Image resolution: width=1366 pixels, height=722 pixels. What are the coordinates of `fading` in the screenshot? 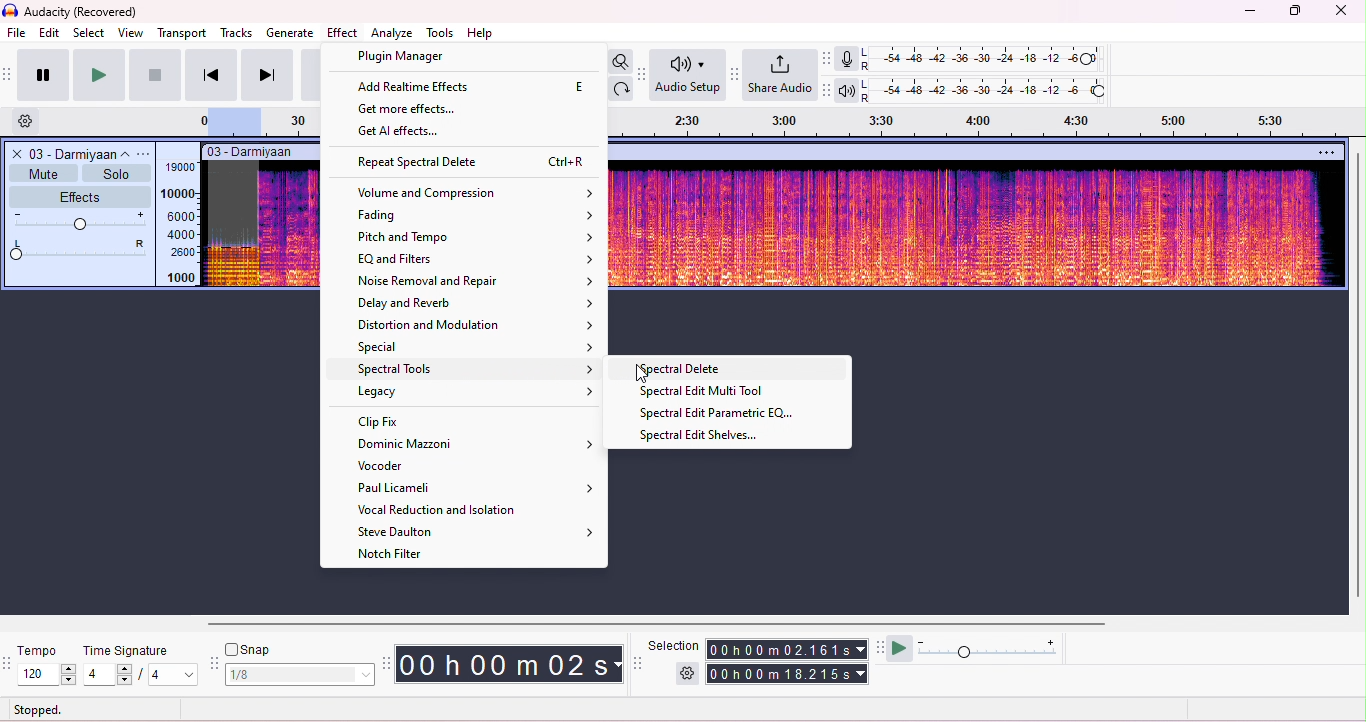 It's located at (480, 215).